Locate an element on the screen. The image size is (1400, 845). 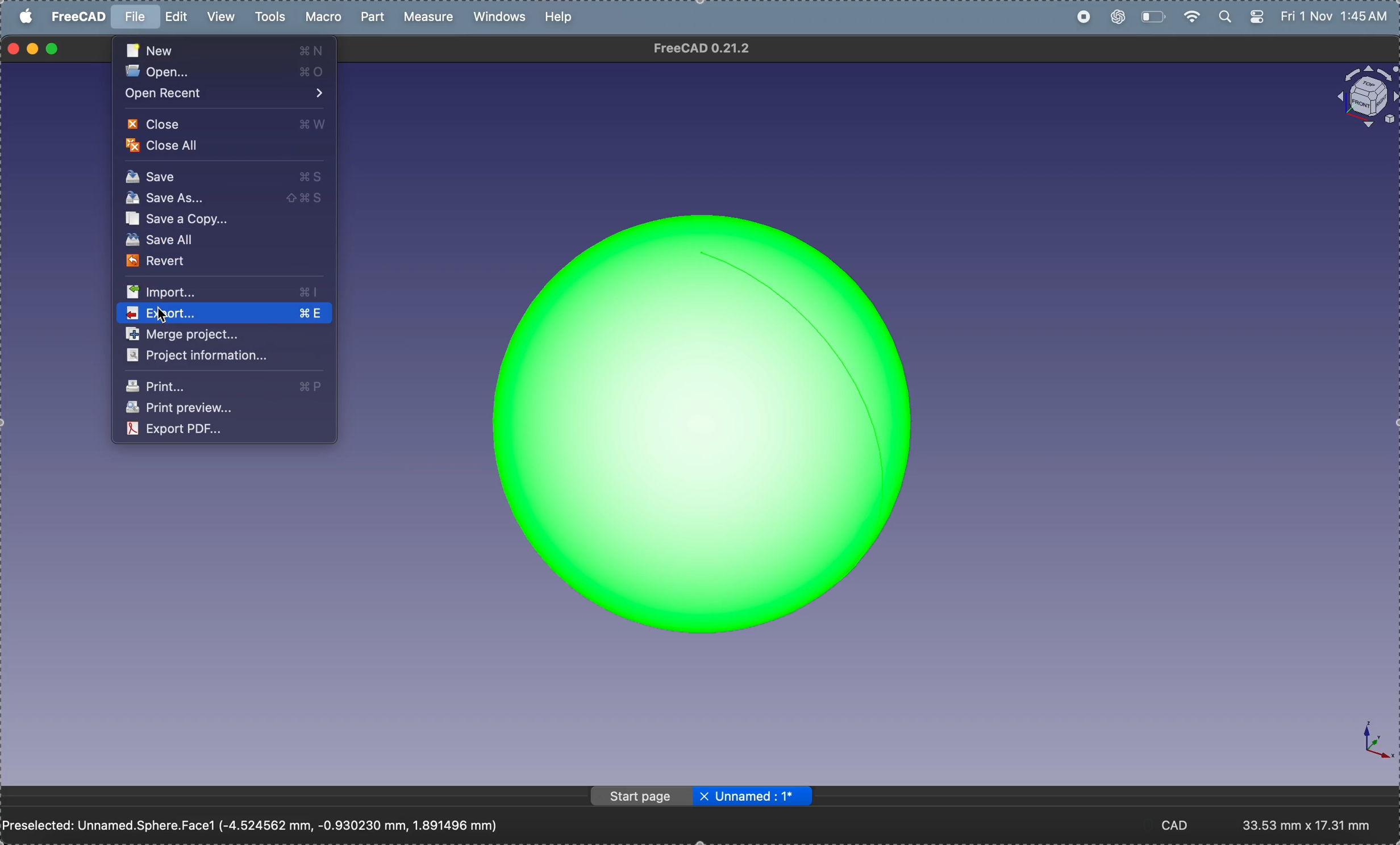
save all is located at coordinates (225, 241).